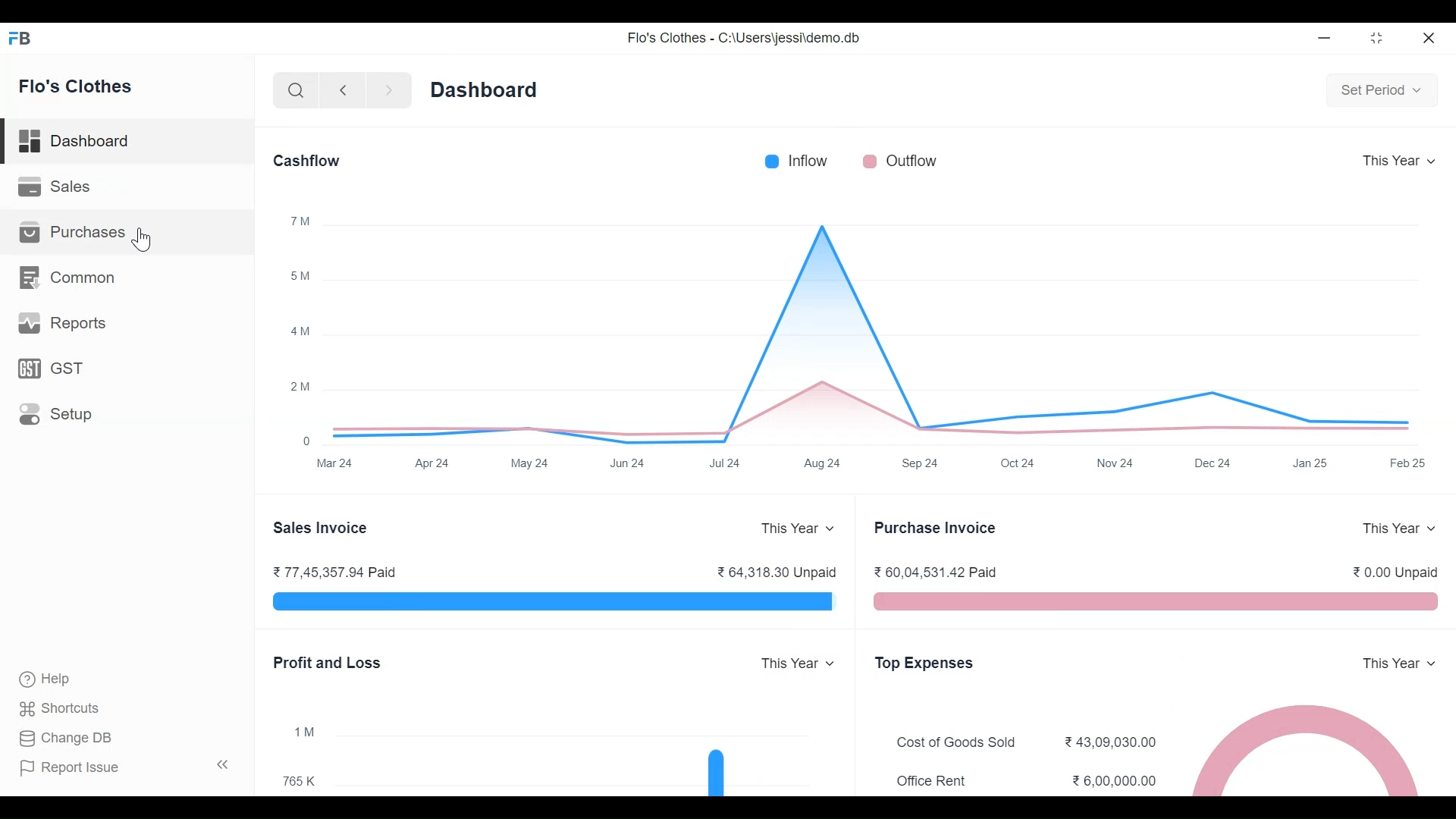  Describe the element at coordinates (61, 188) in the screenshot. I see `Sales` at that location.